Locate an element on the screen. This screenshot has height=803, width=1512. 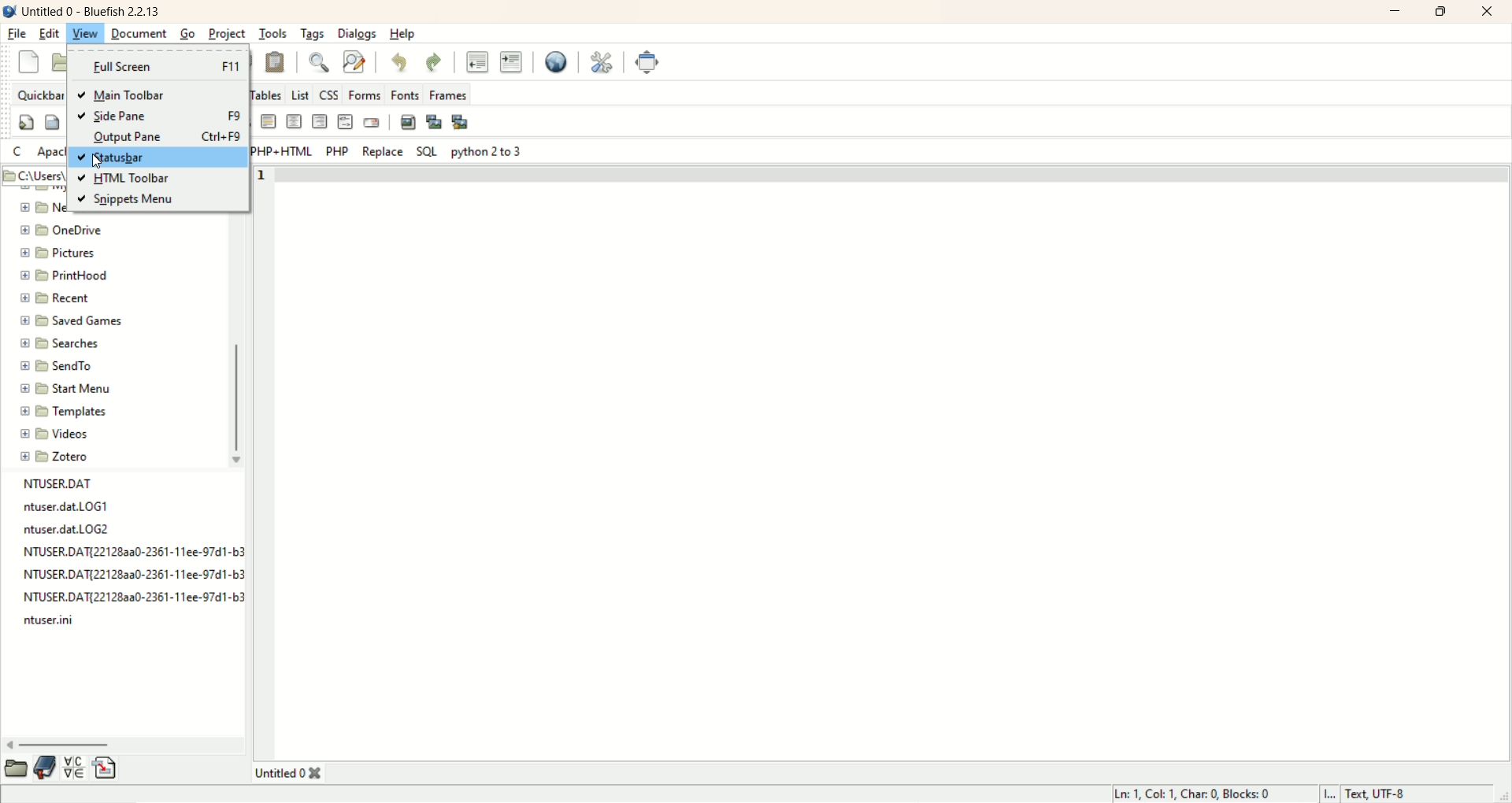
I is located at coordinates (1329, 794).